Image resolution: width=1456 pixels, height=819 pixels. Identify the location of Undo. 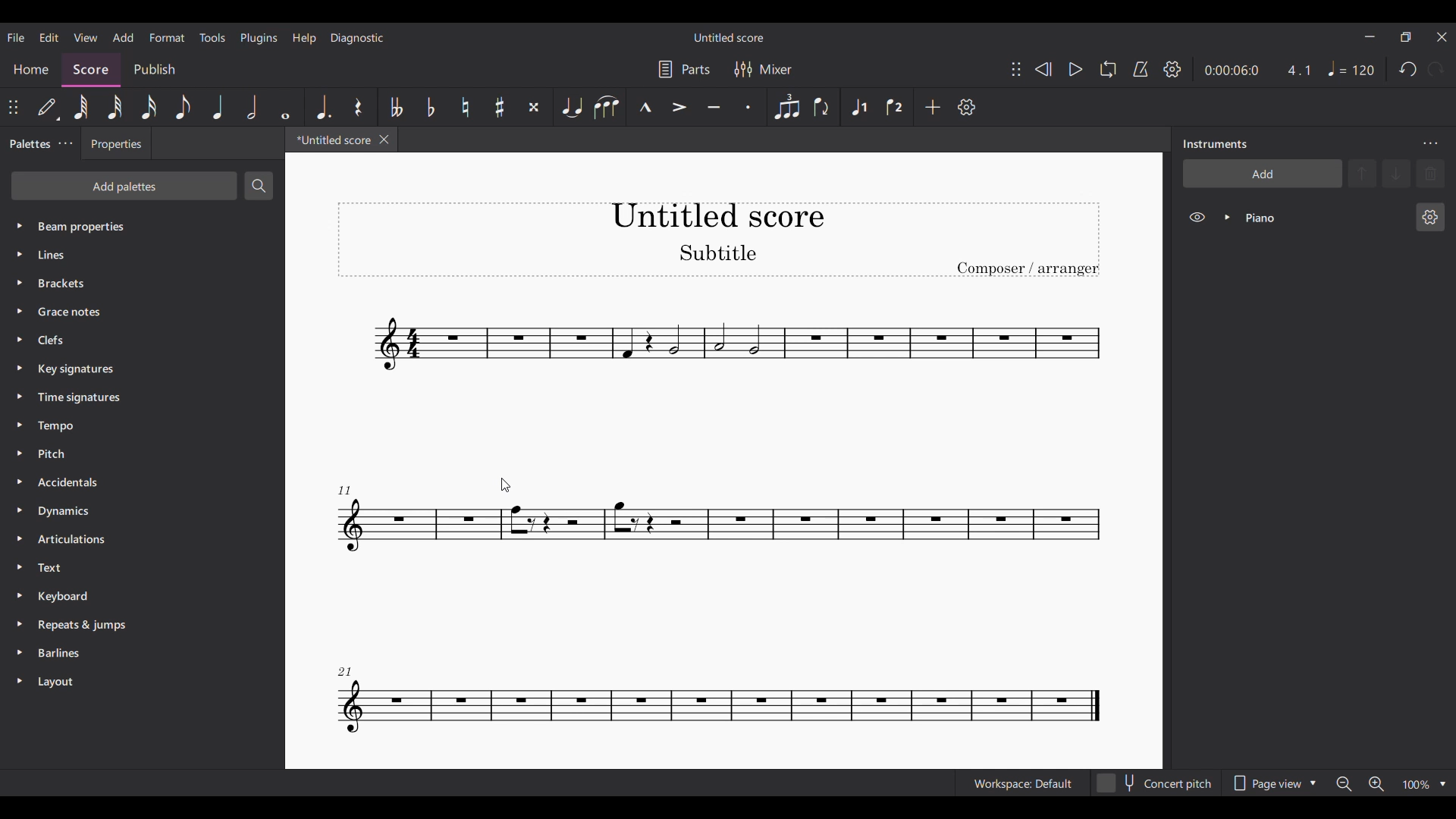
(1409, 69).